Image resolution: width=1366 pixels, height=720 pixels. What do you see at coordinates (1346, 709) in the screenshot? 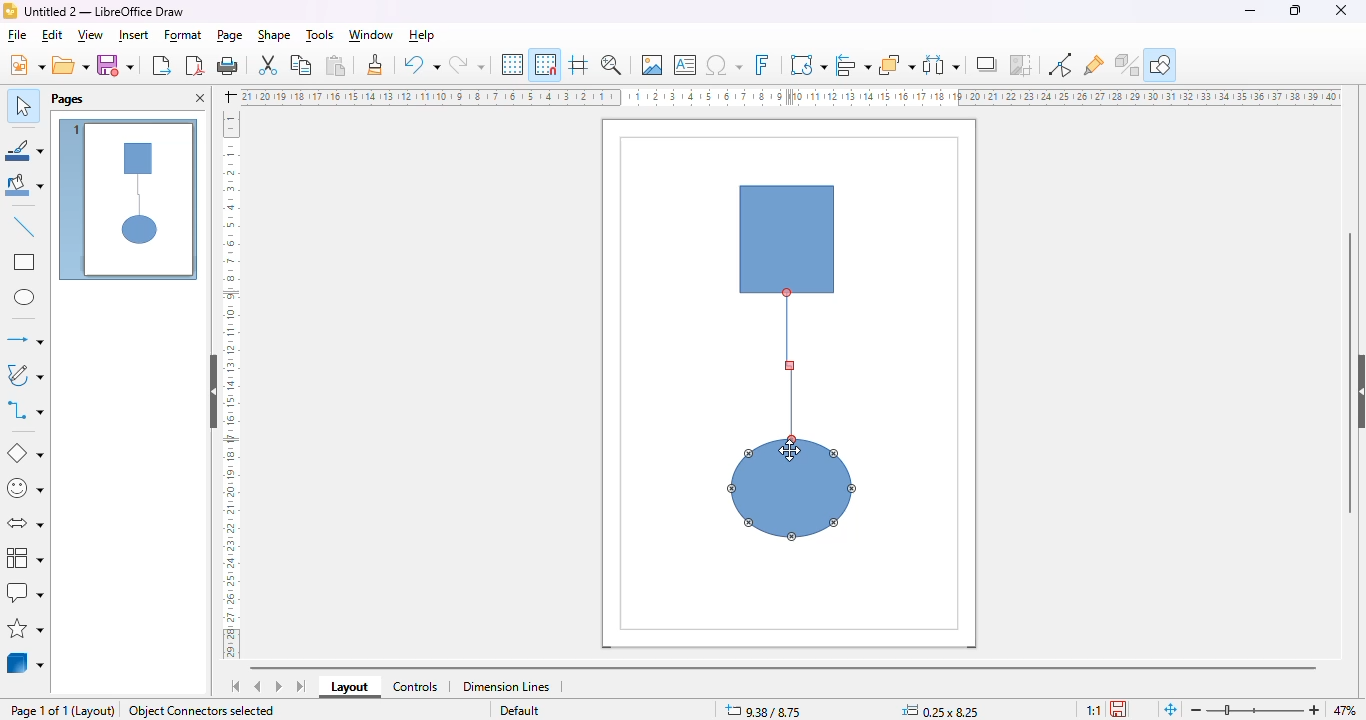
I see `zoom factor` at bounding box center [1346, 709].